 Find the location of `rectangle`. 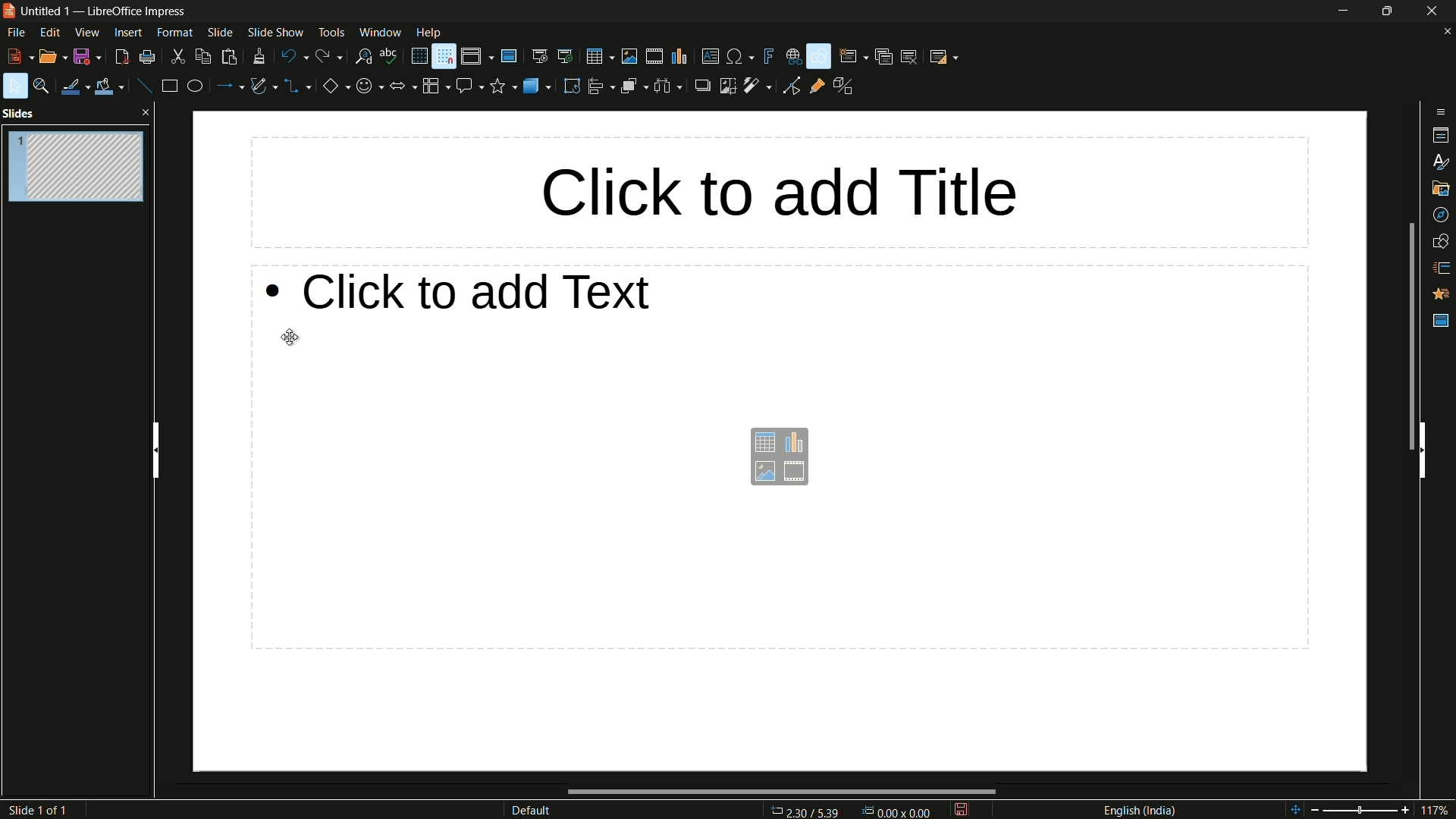

rectangle is located at coordinates (167, 86).